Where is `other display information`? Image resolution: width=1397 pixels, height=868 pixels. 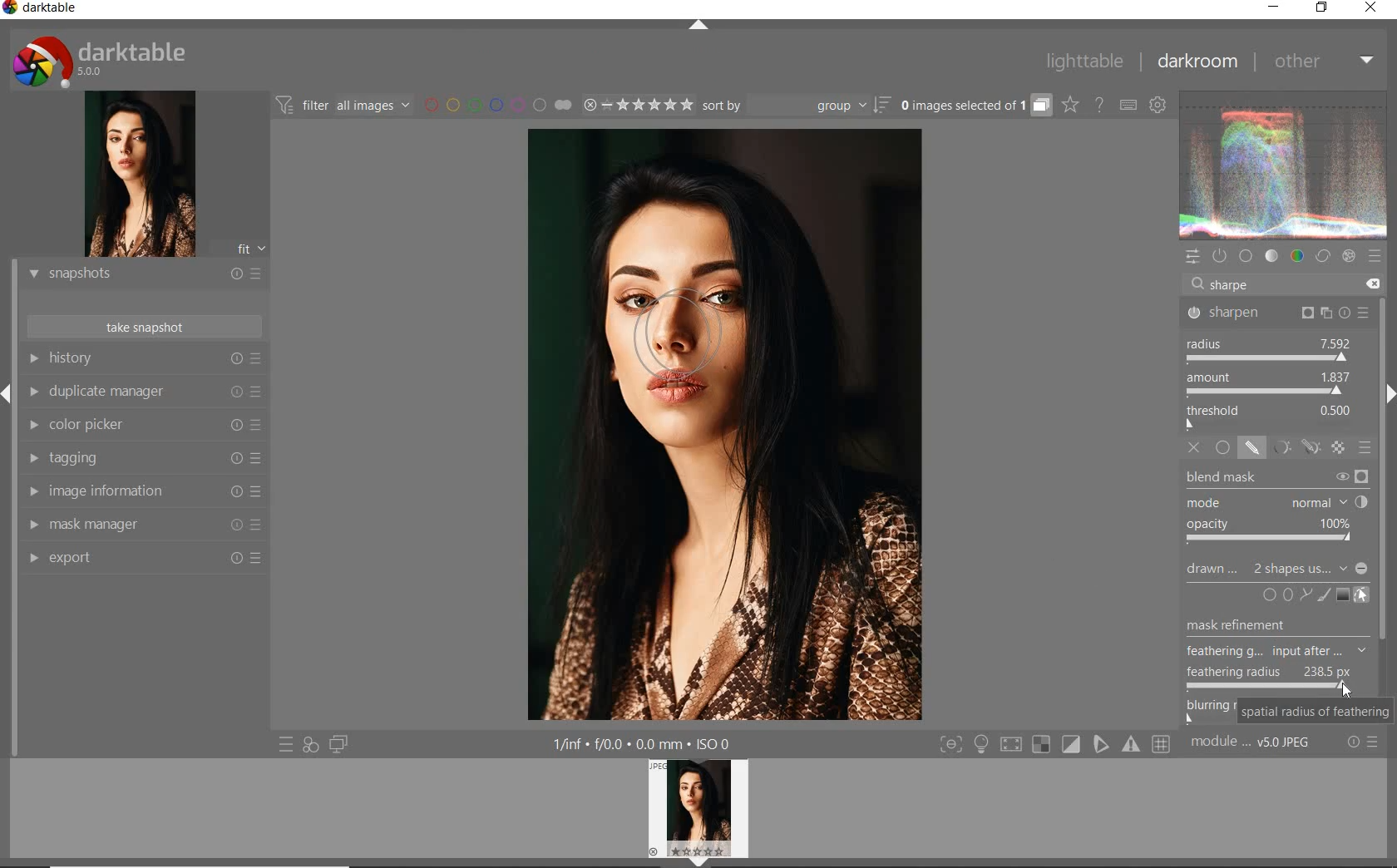
other display information is located at coordinates (646, 745).